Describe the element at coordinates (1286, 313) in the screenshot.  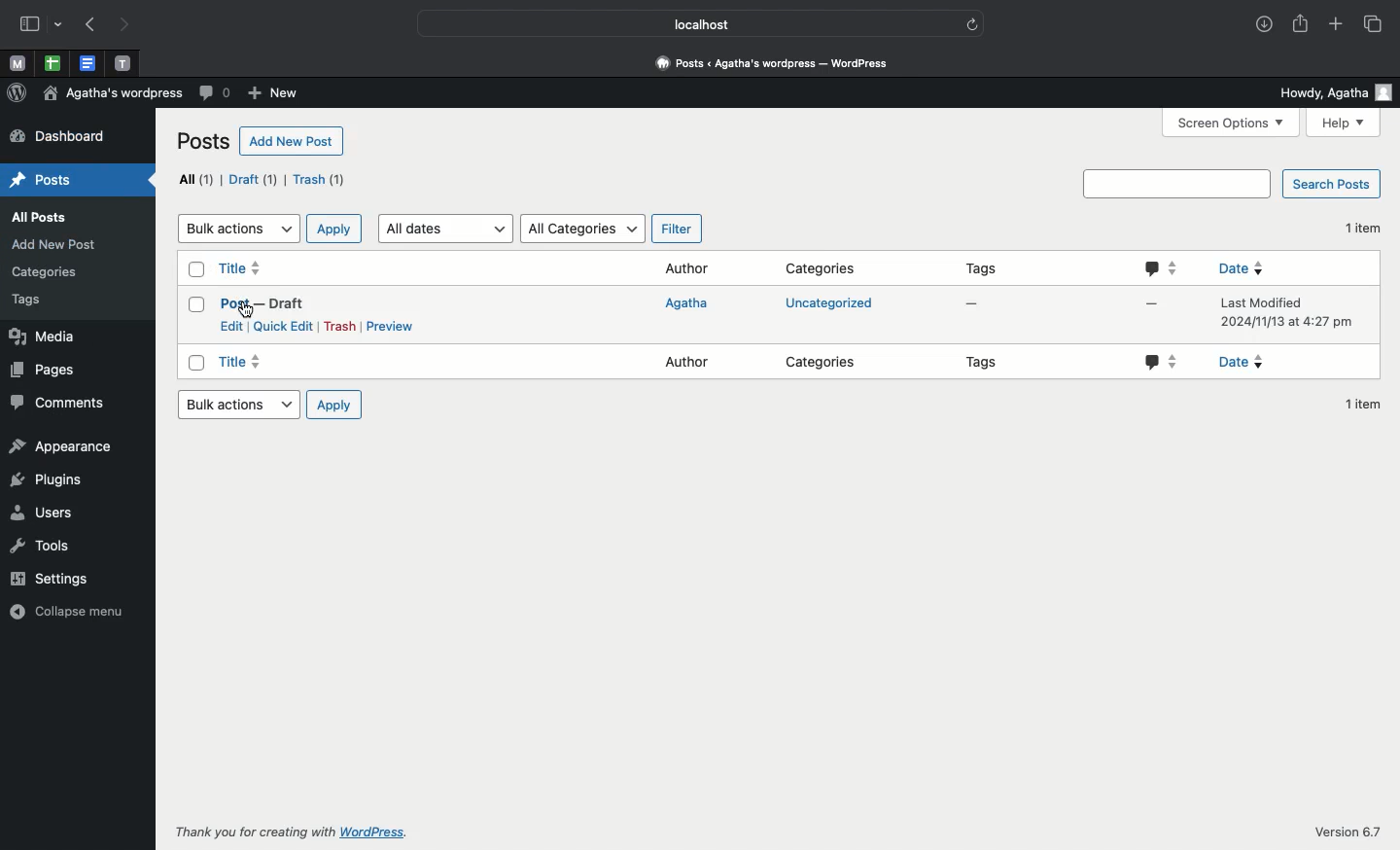
I see `Date` at that location.